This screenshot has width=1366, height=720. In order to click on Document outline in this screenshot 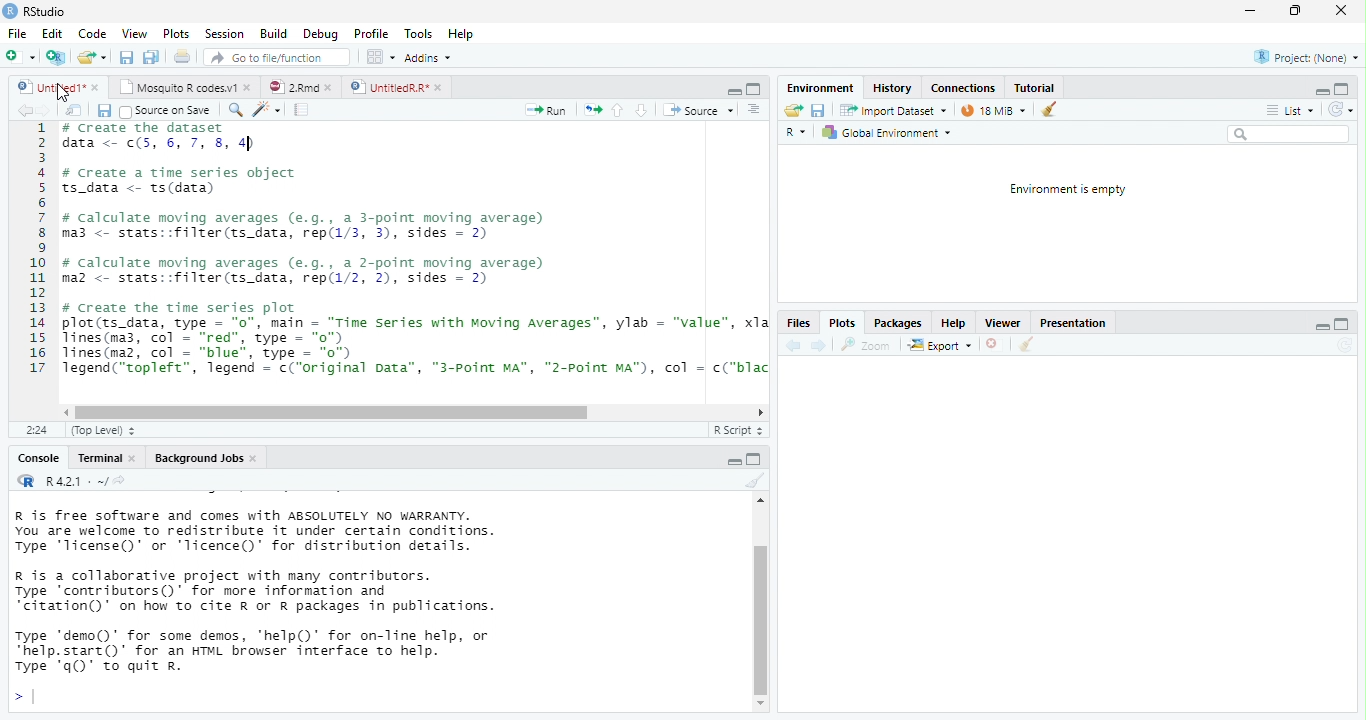, I will do `click(755, 110)`.